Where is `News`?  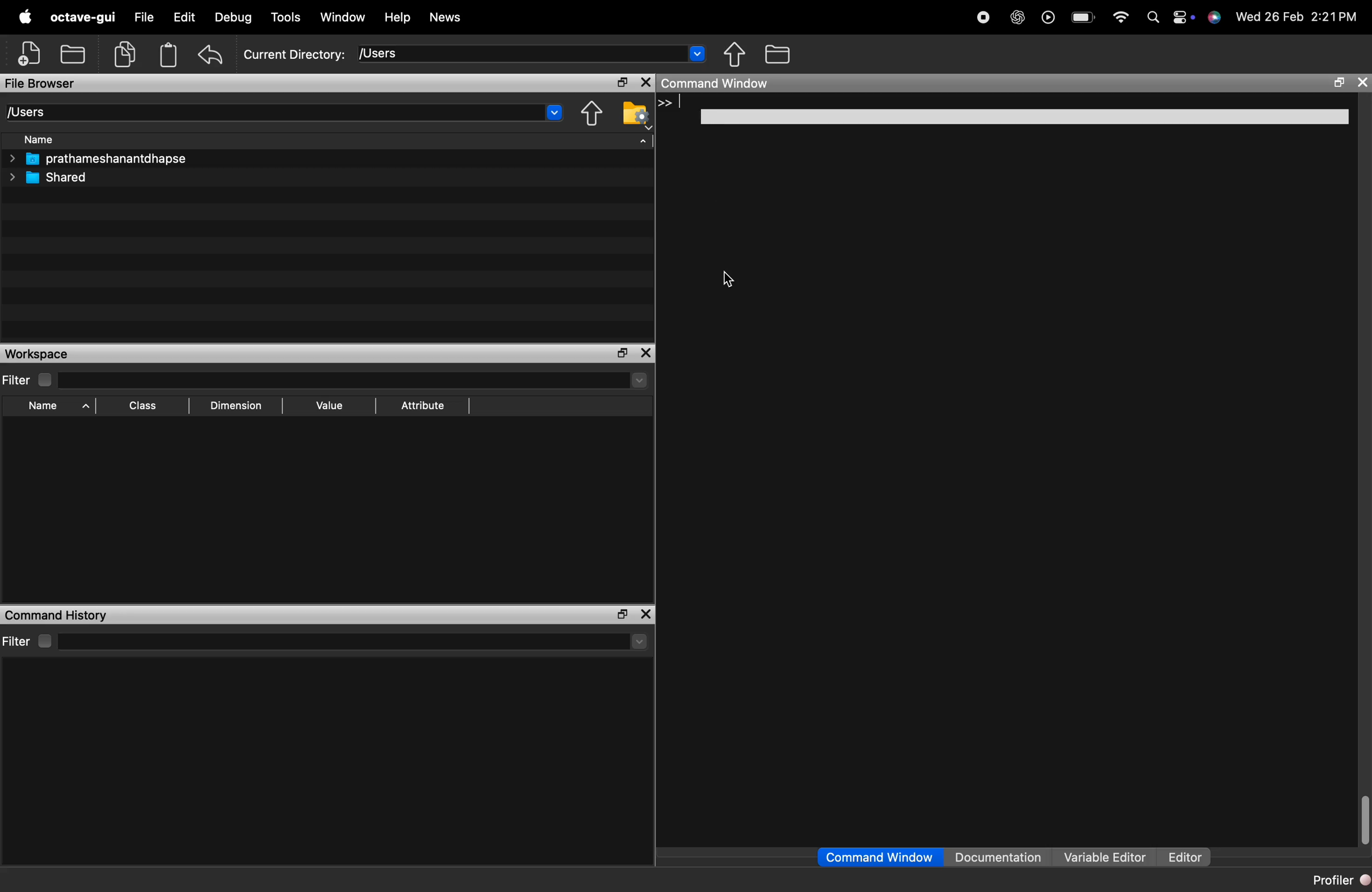
News is located at coordinates (445, 17).